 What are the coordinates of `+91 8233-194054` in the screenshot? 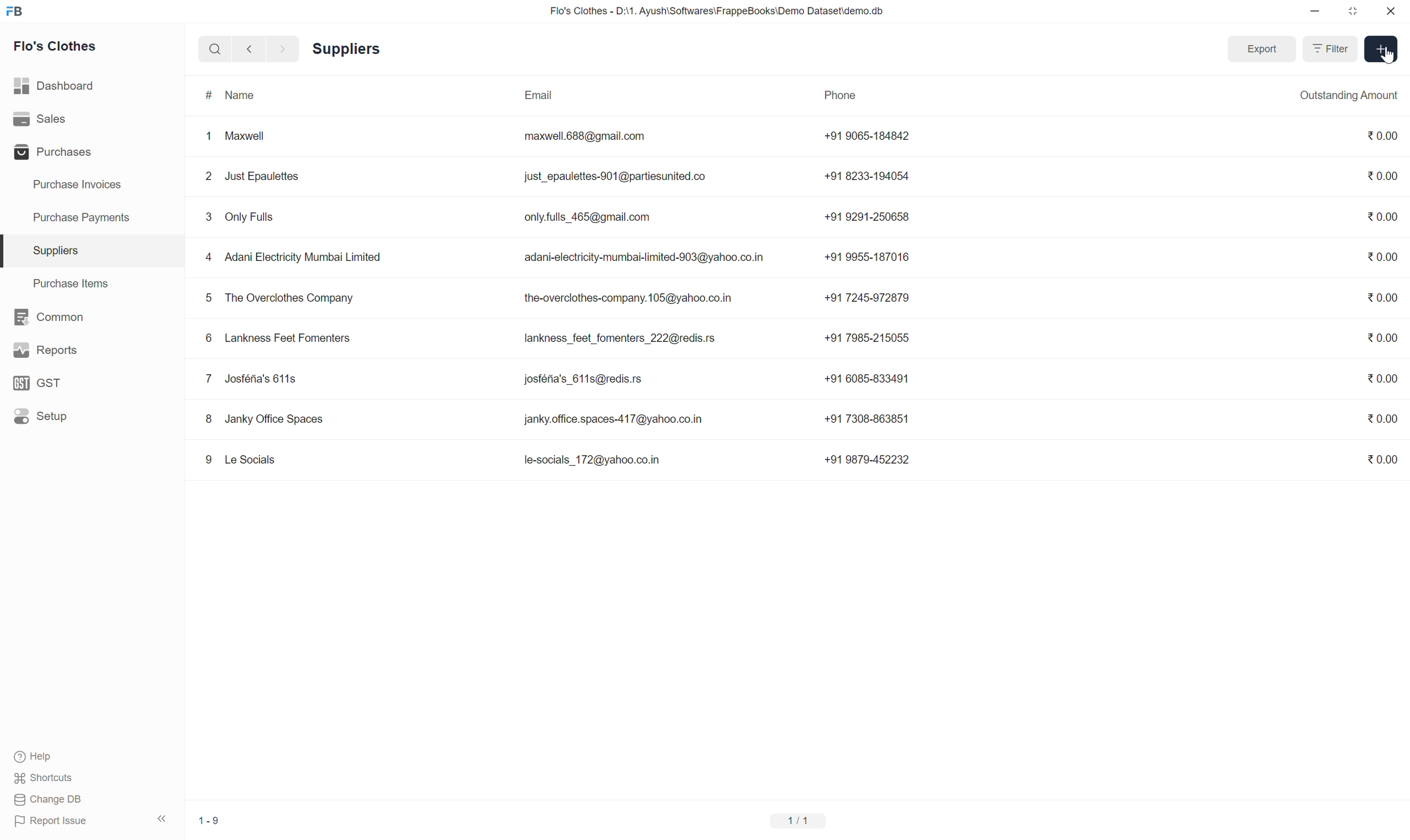 It's located at (868, 176).